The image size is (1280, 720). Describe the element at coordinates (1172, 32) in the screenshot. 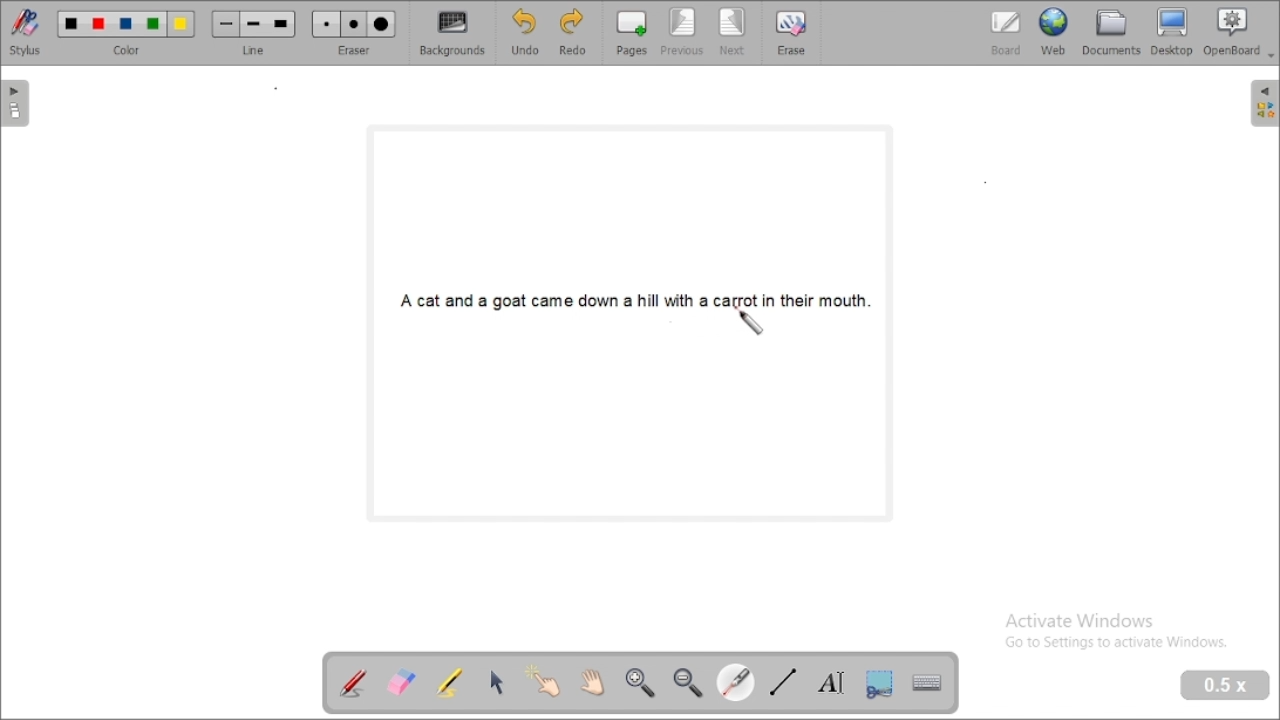

I see `desktop` at that location.